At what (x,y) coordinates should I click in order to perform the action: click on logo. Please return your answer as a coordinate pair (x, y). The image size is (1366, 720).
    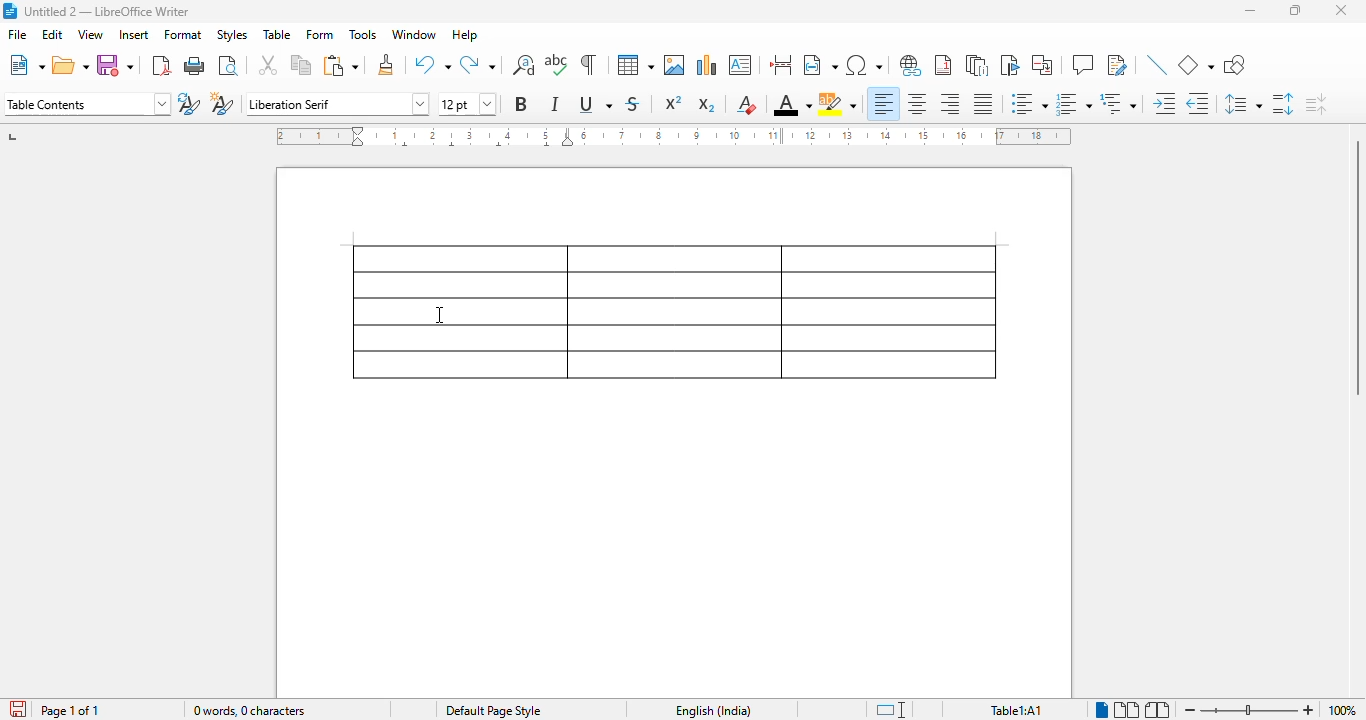
    Looking at the image, I should click on (9, 11).